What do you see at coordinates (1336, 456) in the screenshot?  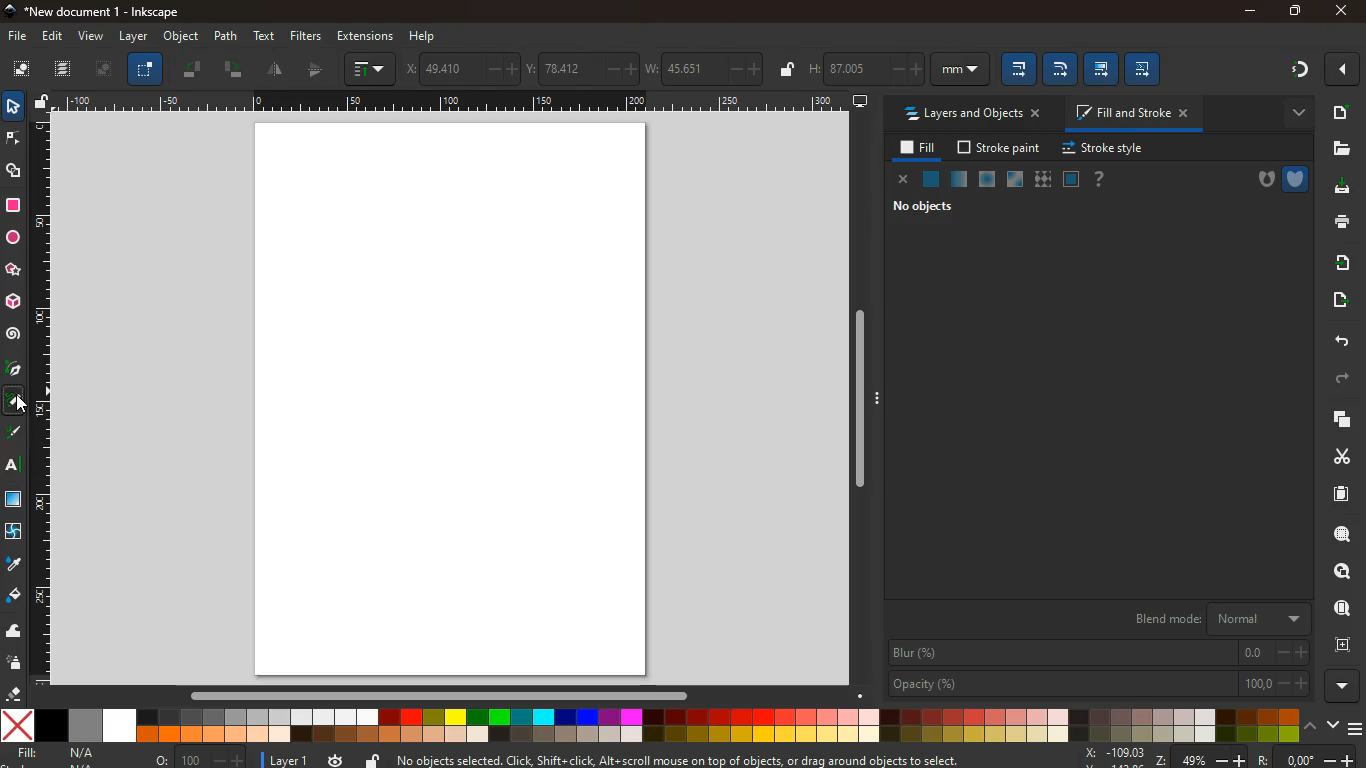 I see `cut` at bounding box center [1336, 456].